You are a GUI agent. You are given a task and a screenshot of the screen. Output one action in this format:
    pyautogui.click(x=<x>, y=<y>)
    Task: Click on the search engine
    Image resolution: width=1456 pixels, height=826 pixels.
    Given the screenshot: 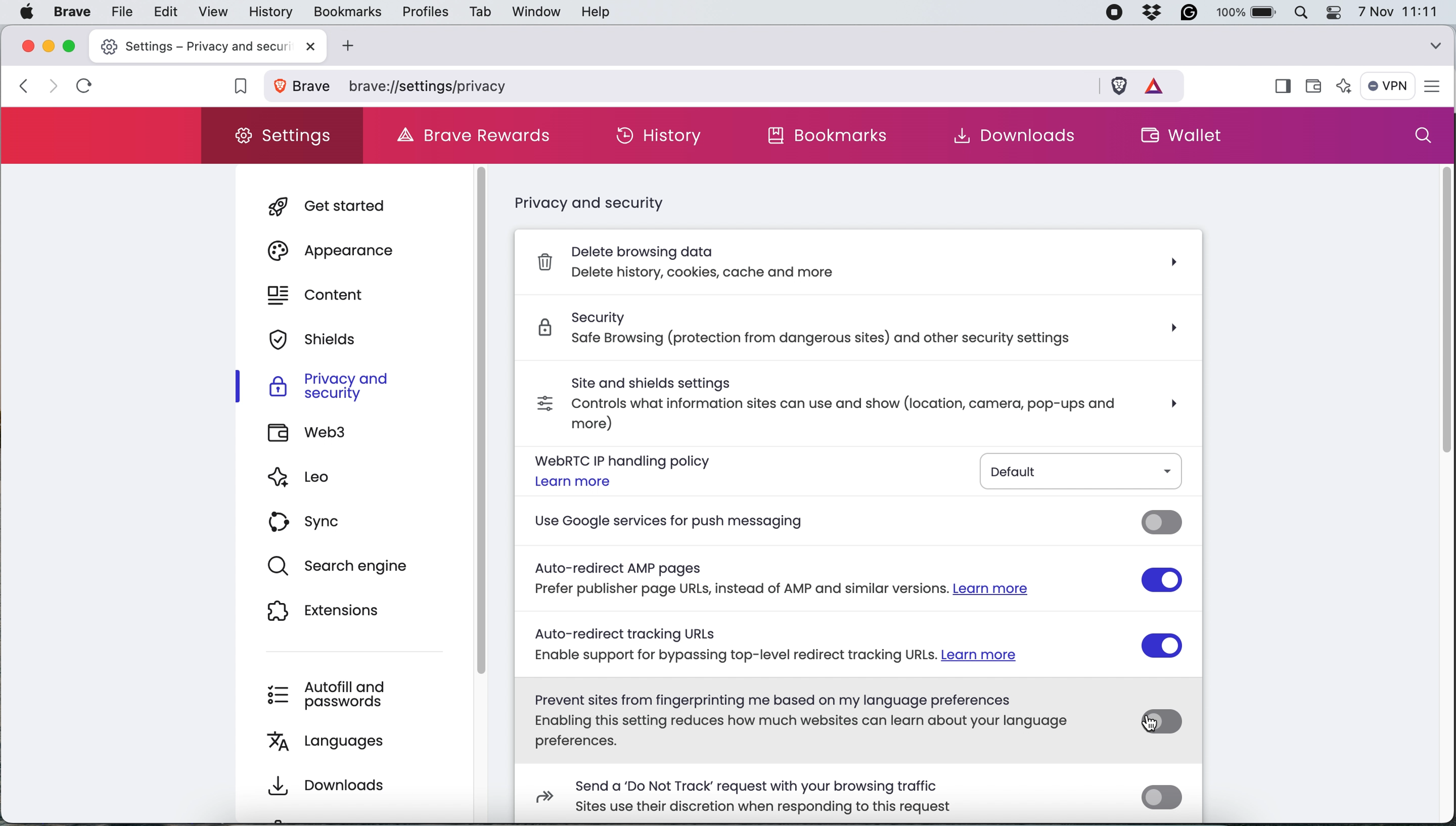 What is the action you would take?
    pyautogui.click(x=349, y=567)
    